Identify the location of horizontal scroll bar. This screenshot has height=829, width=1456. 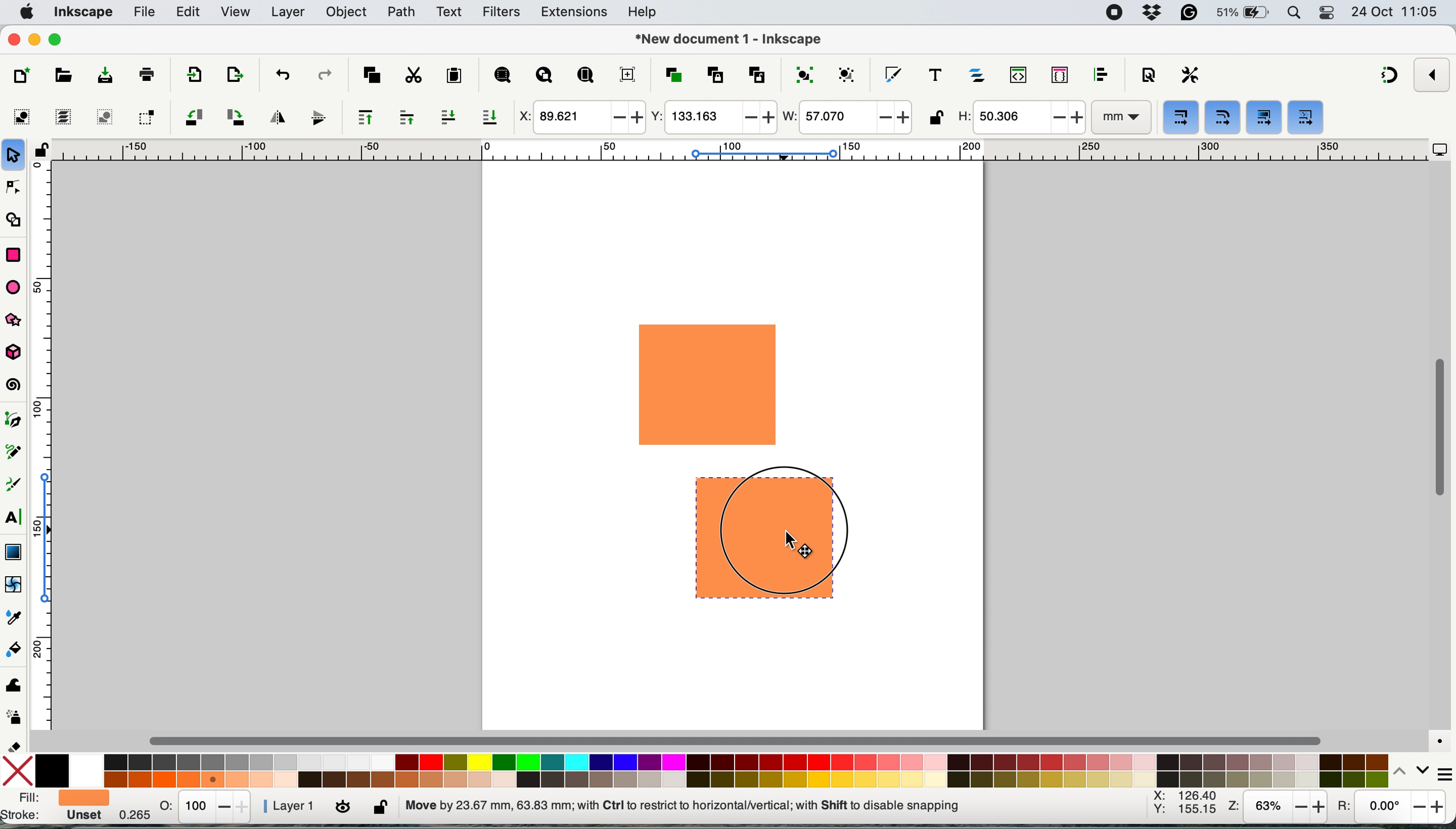
(739, 740).